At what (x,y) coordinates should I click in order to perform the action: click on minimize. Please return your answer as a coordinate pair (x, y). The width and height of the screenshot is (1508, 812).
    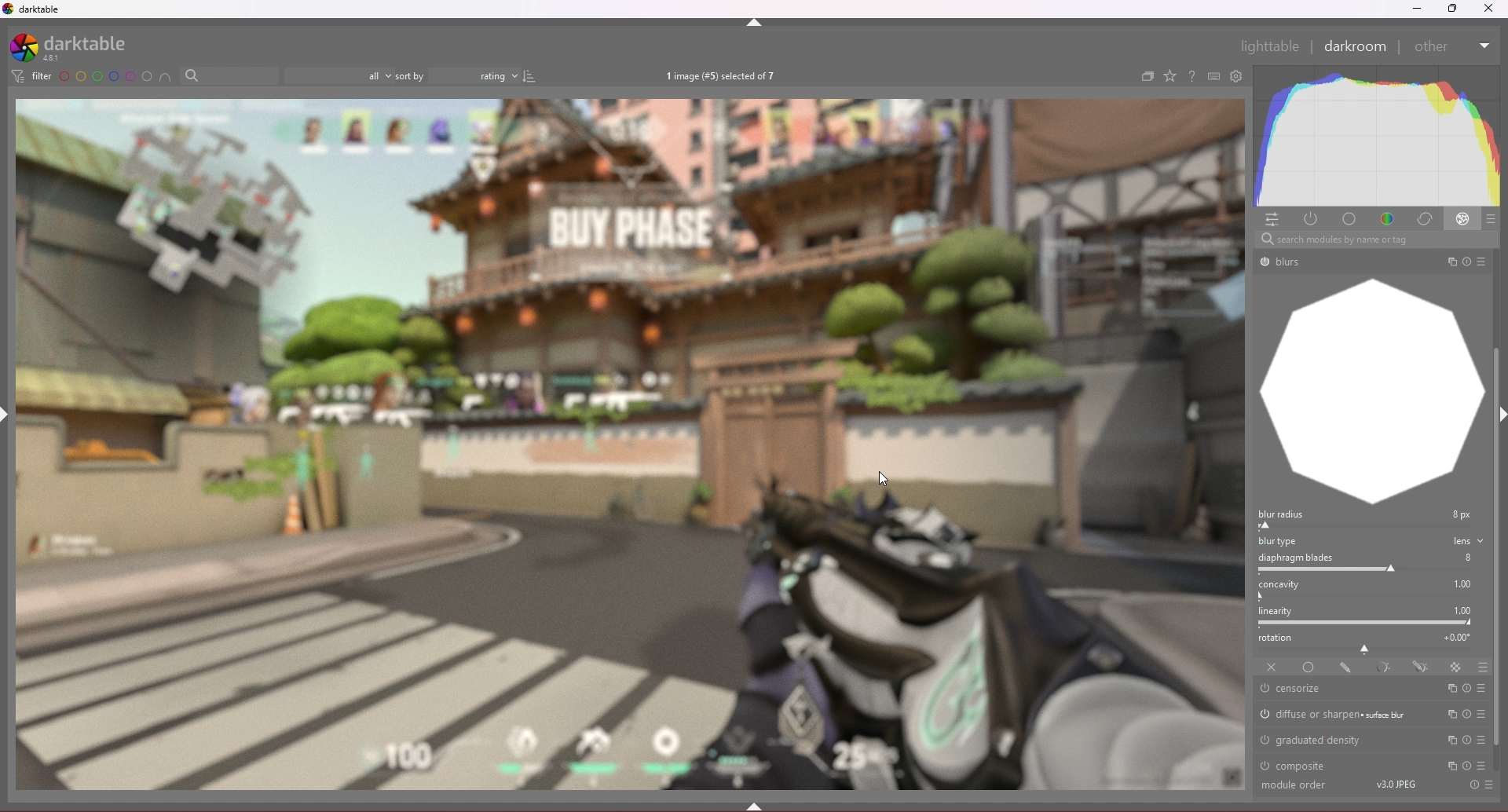
    Looking at the image, I should click on (1417, 9).